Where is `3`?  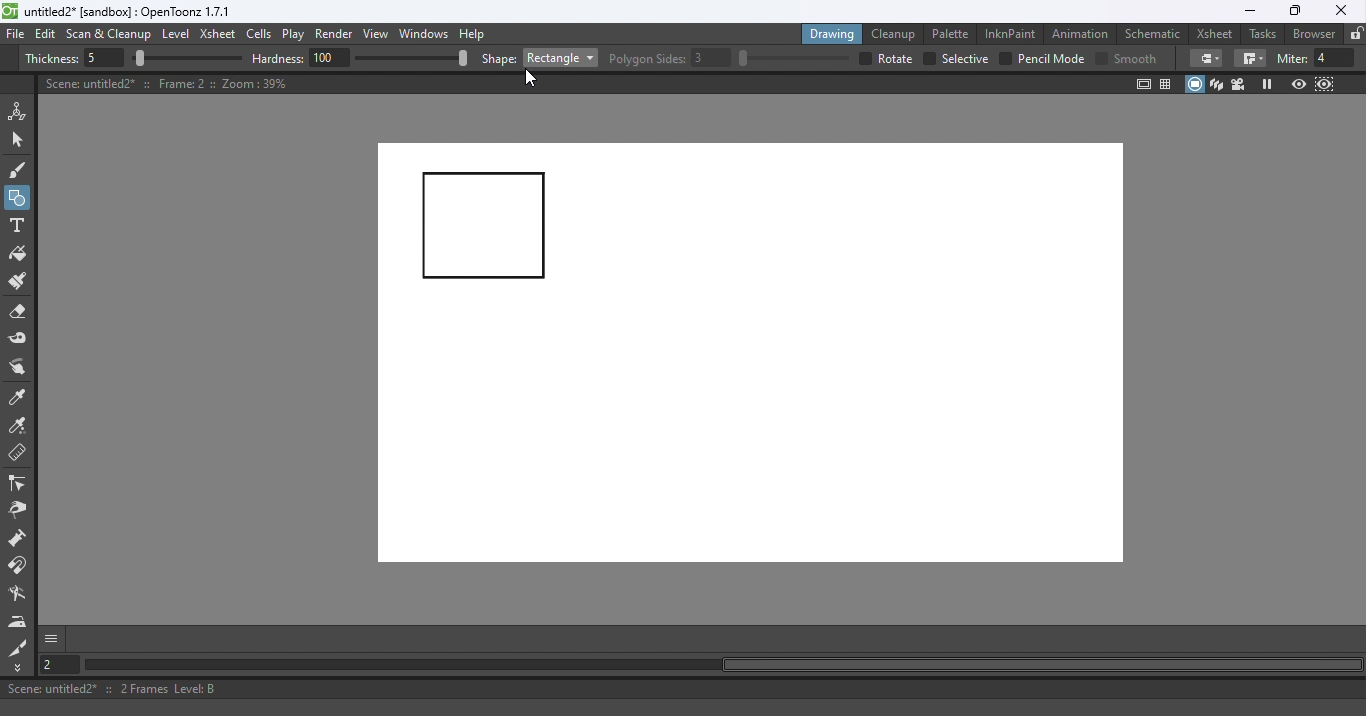
3 is located at coordinates (712, 58).